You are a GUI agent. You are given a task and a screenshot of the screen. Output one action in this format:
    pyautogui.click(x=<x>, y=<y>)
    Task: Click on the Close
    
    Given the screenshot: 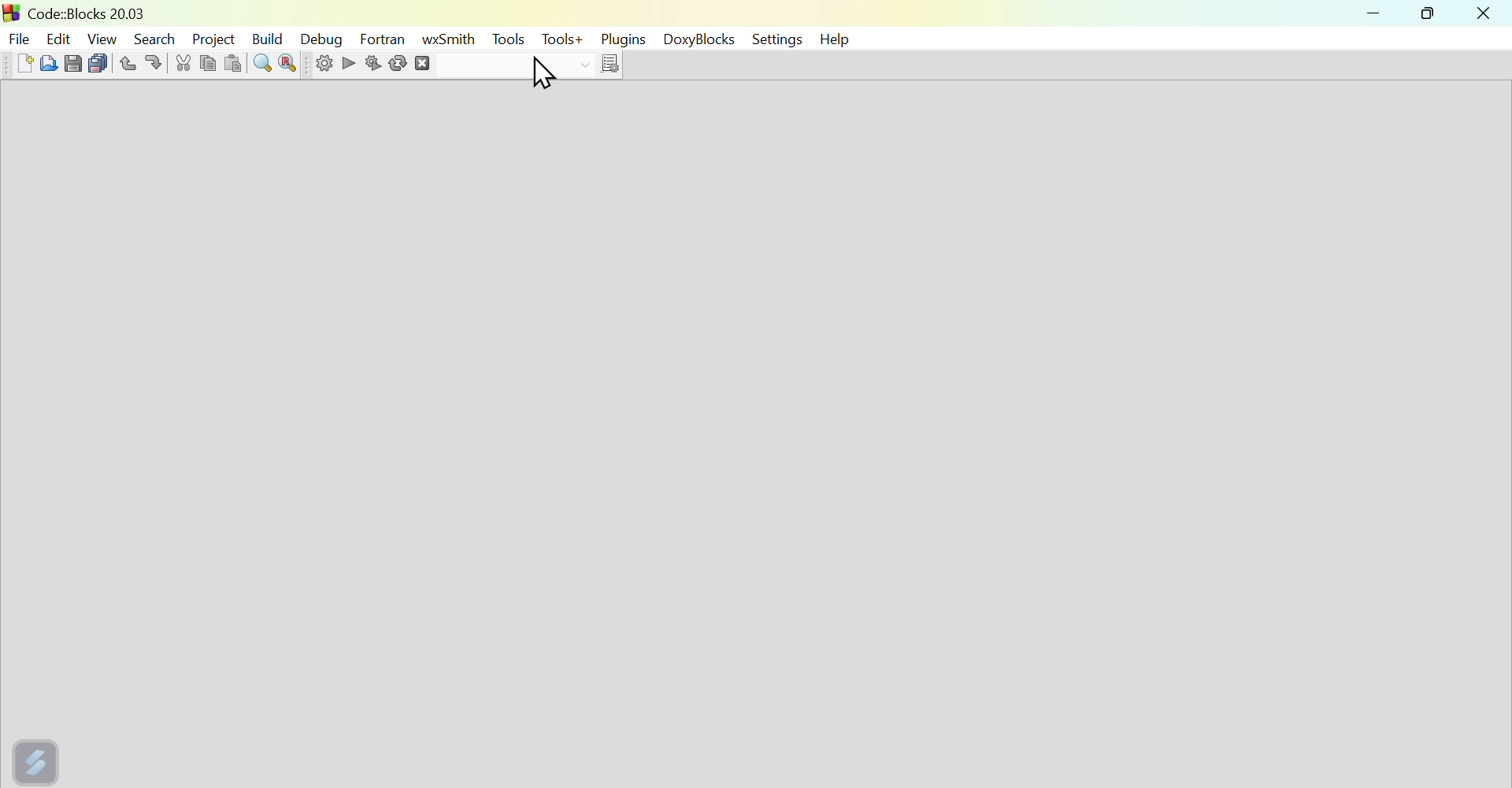 What is the action you would take?
    pyautogui.click(x=1484, y=14)
    